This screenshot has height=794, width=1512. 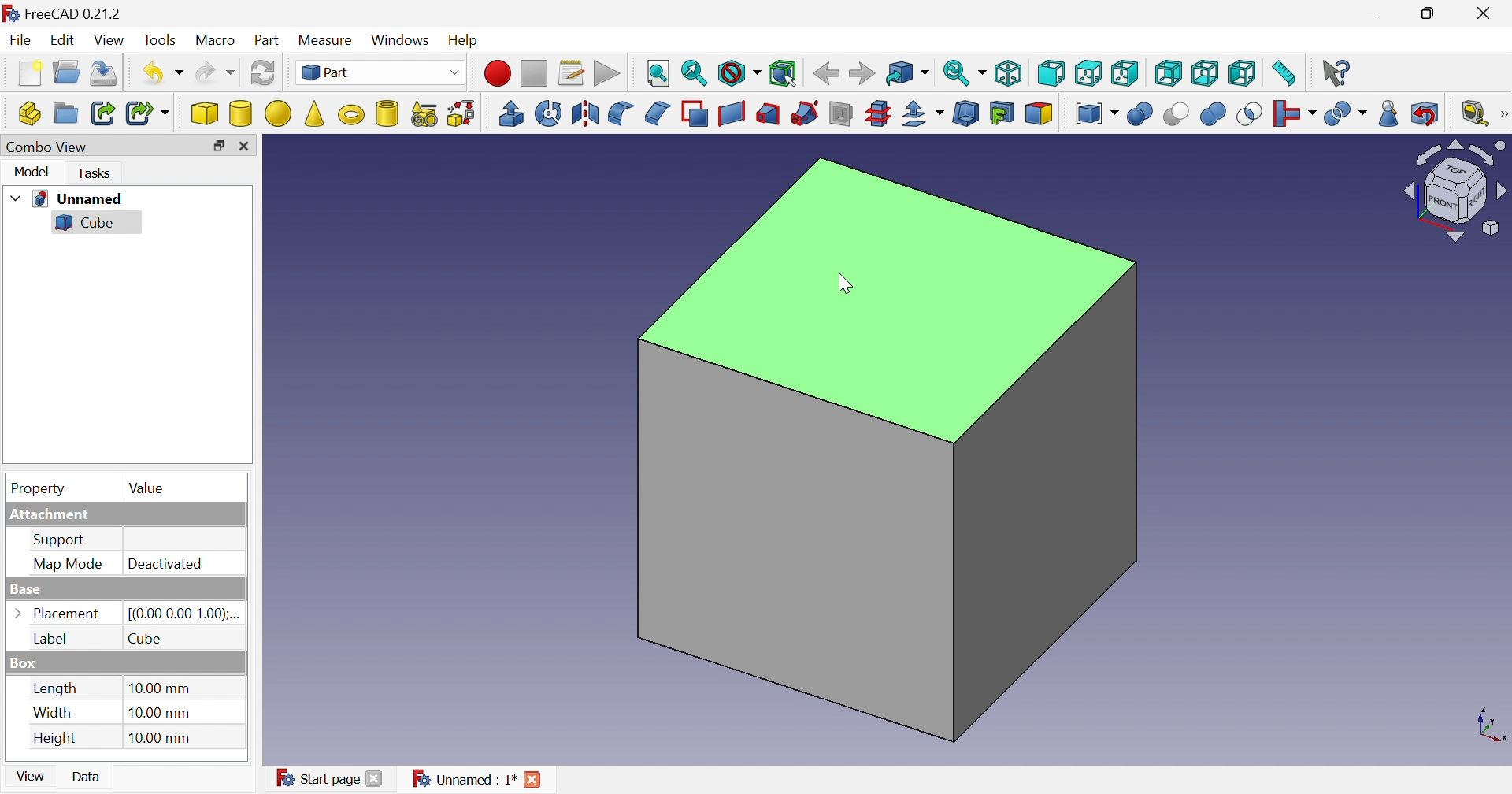 I want to click on Placement, so click(x=56, y=613).